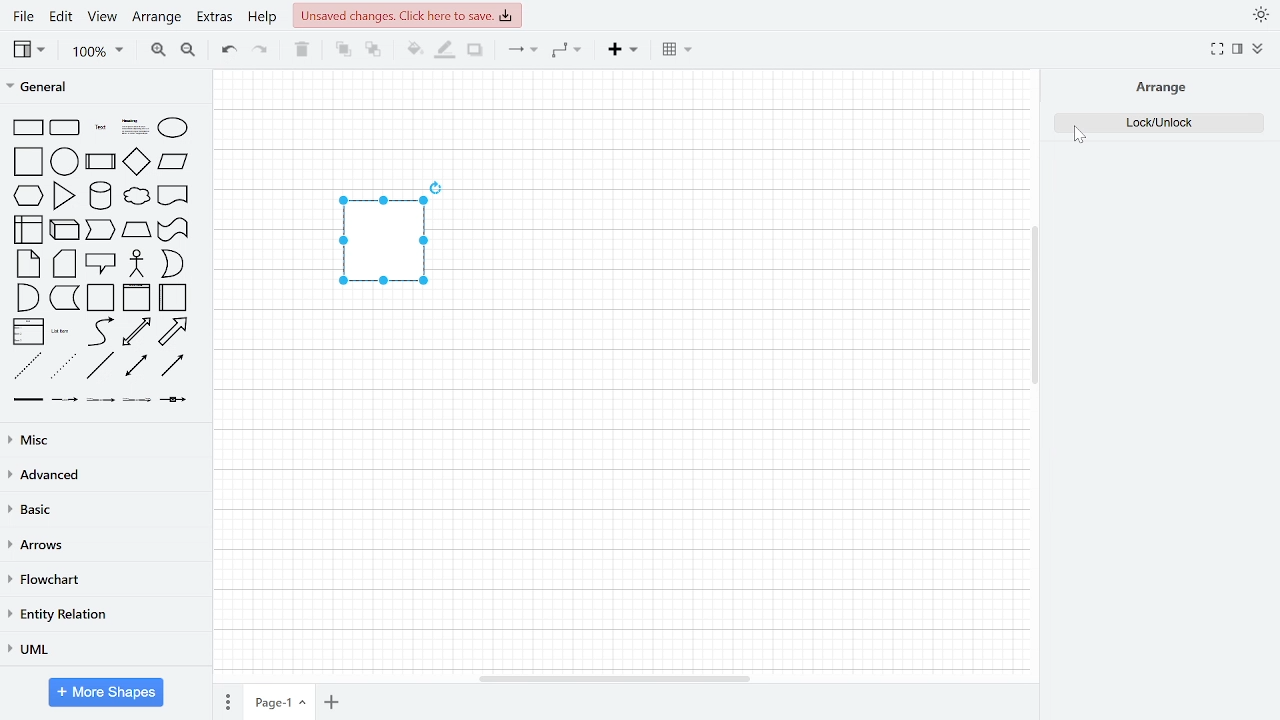  What do you see at coordinates (174, 297) in the screenshot?
I see `horizontal container` at bounding box center [174, 297].